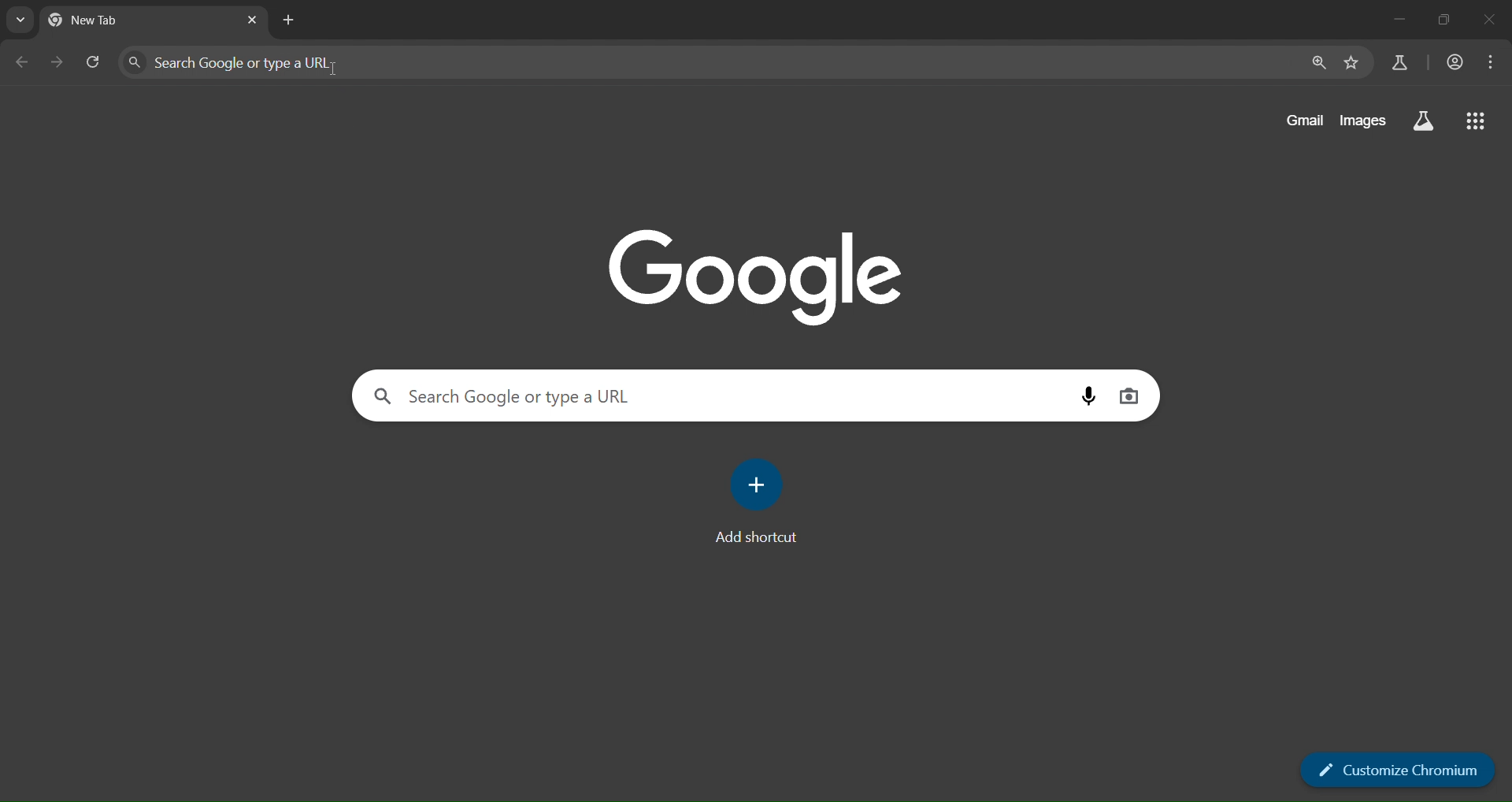 Image resolution: width=1512 pixels, height=802 pixels. Describe the element at coordinates (1399, 17) in the screenshot. I see `minimize` at that location.